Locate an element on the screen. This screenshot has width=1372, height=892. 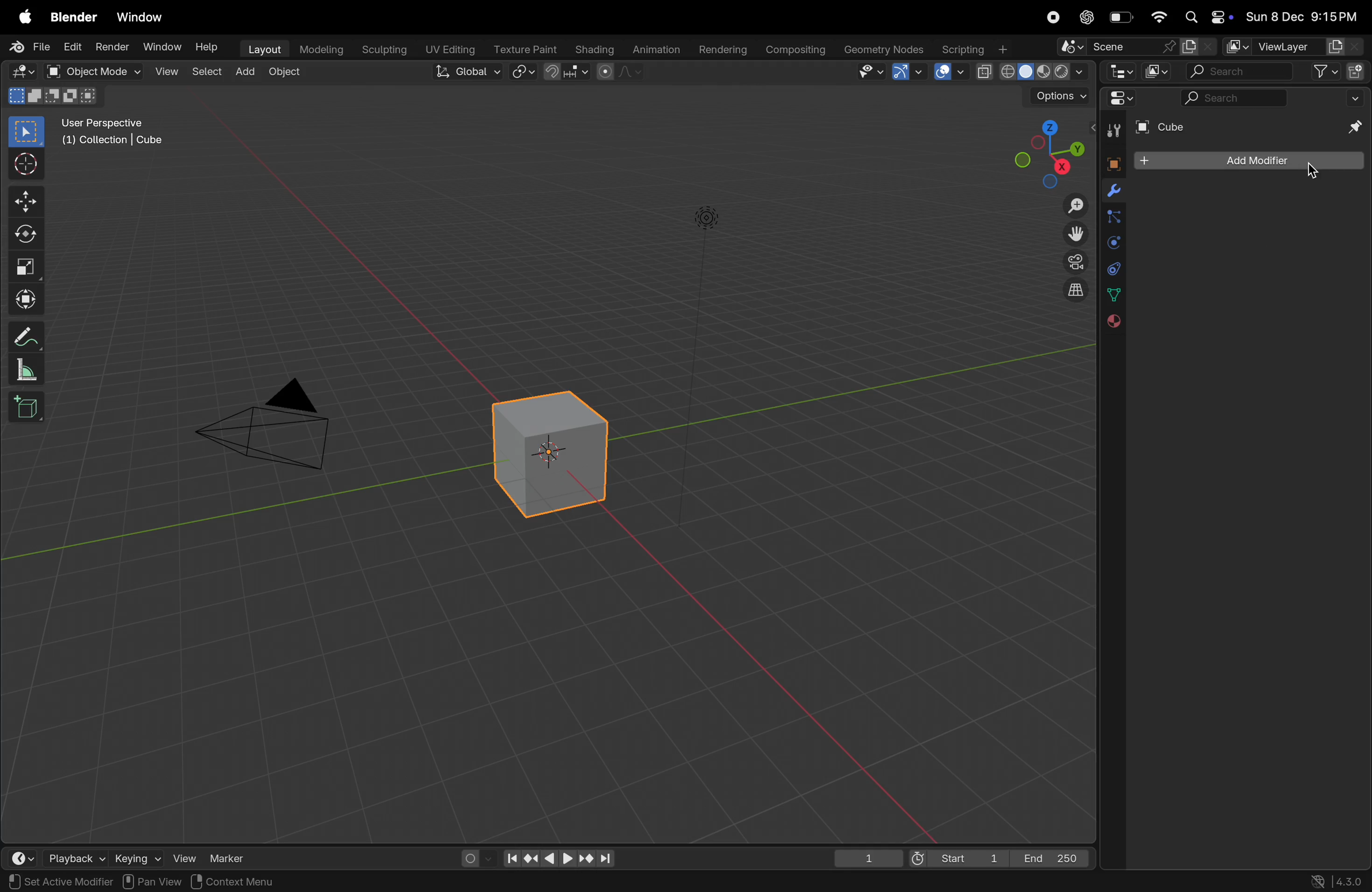
move the view is located at coordinates (1073, 233).